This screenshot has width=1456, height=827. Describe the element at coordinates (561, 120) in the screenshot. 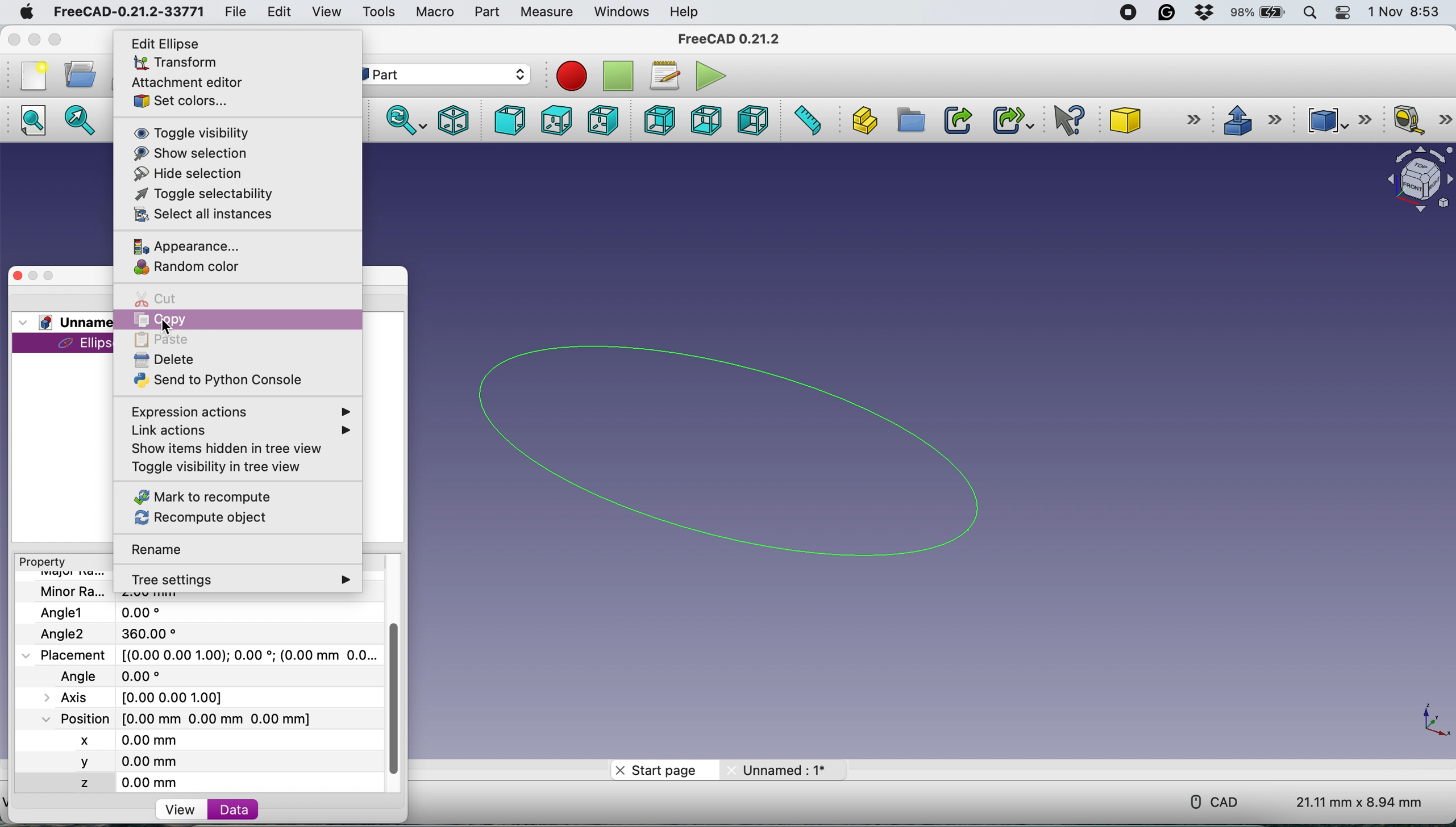

I see `top` at that location.